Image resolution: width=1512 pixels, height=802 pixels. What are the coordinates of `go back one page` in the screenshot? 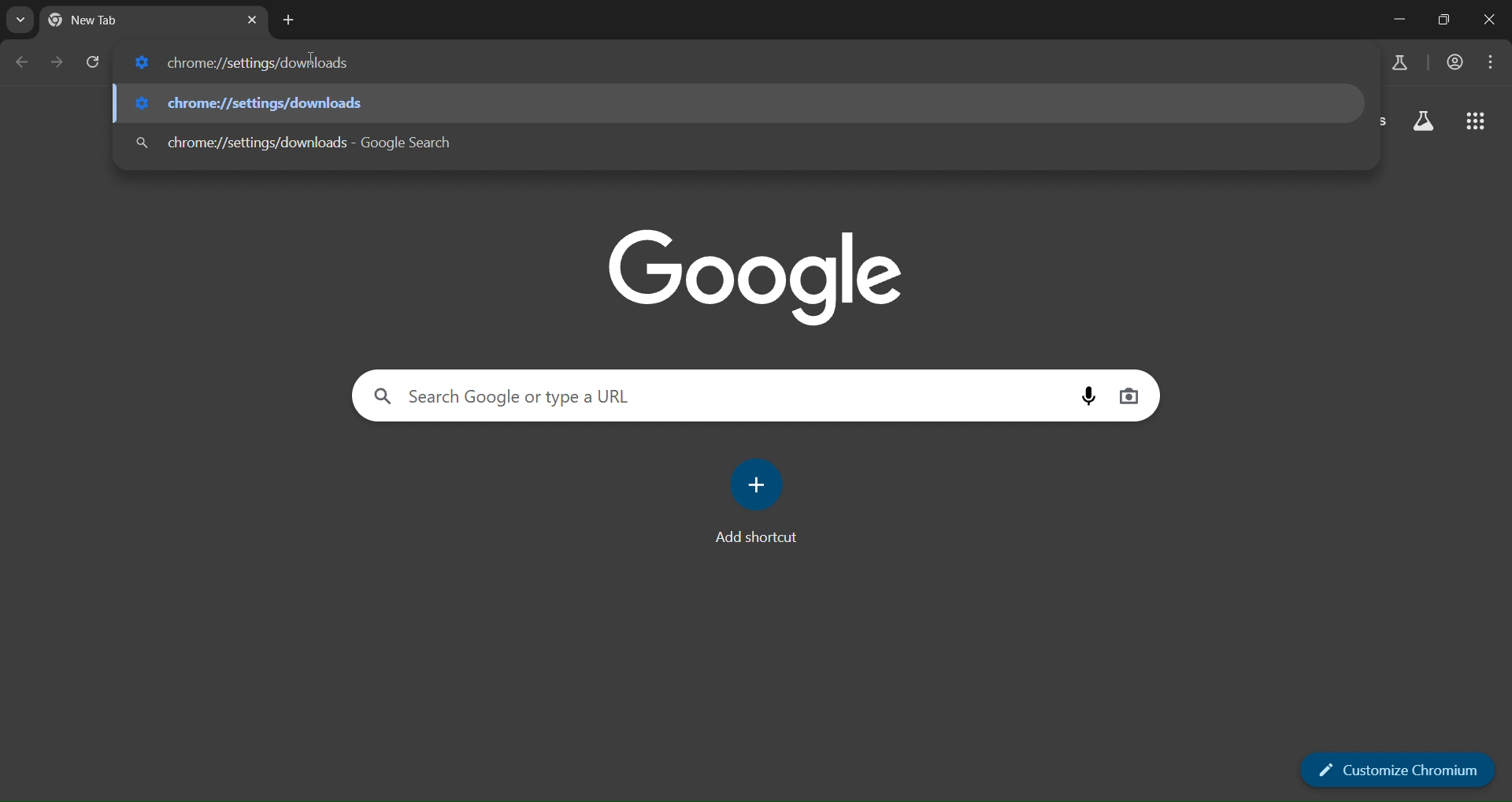 It's located at (19, 63).